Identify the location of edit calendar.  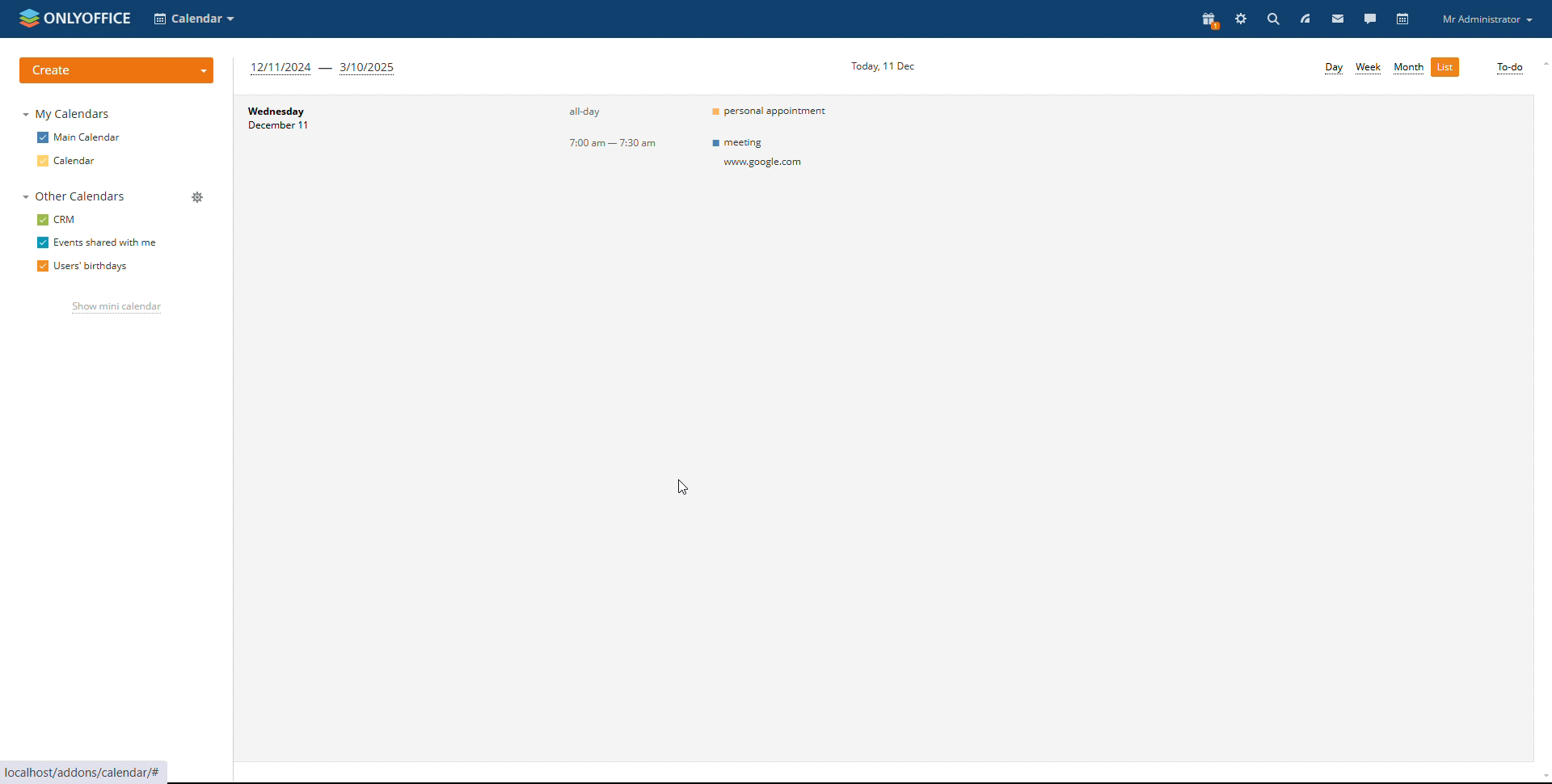
(198, 241).